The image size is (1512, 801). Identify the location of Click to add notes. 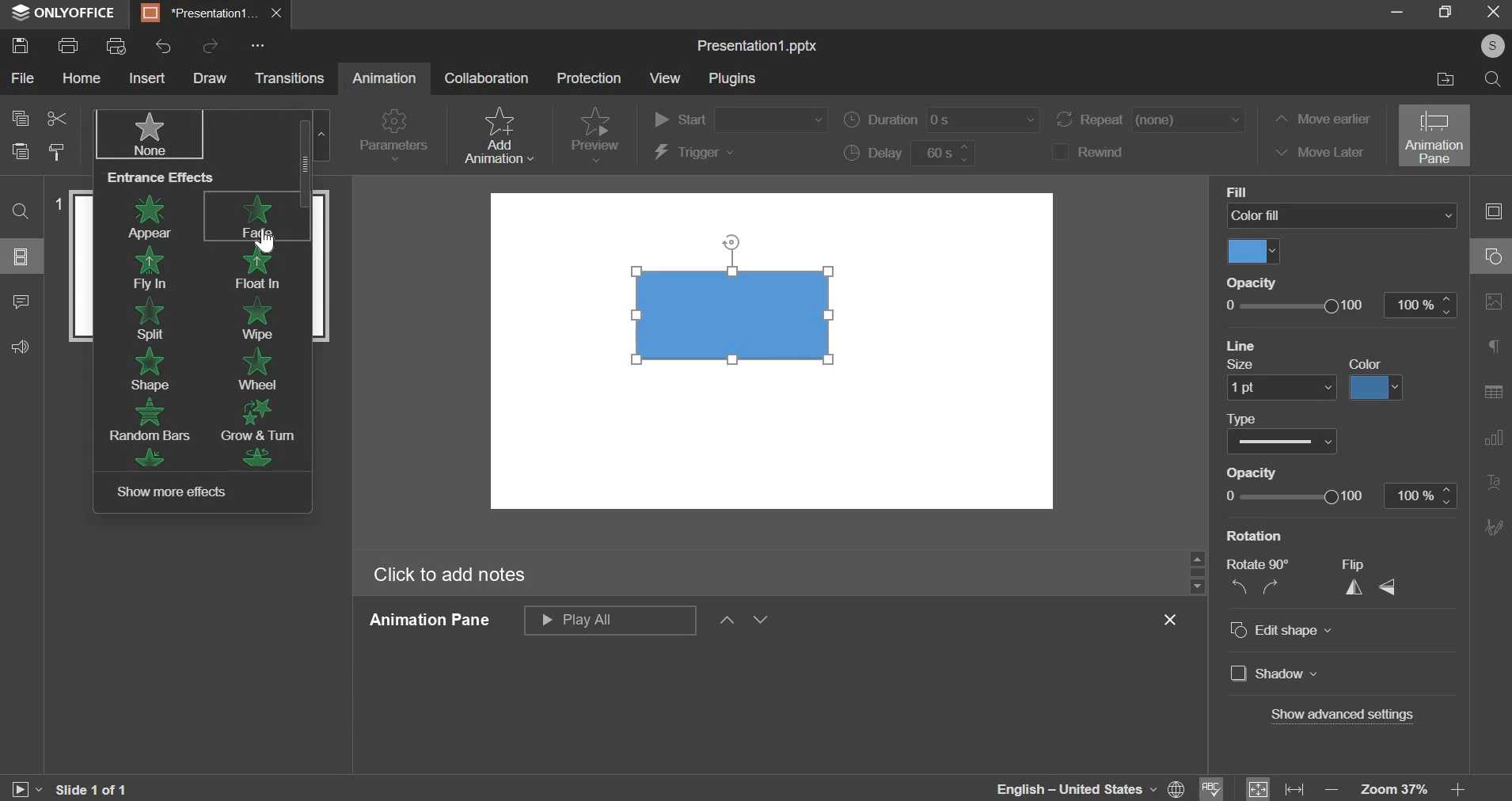
(452, 575).